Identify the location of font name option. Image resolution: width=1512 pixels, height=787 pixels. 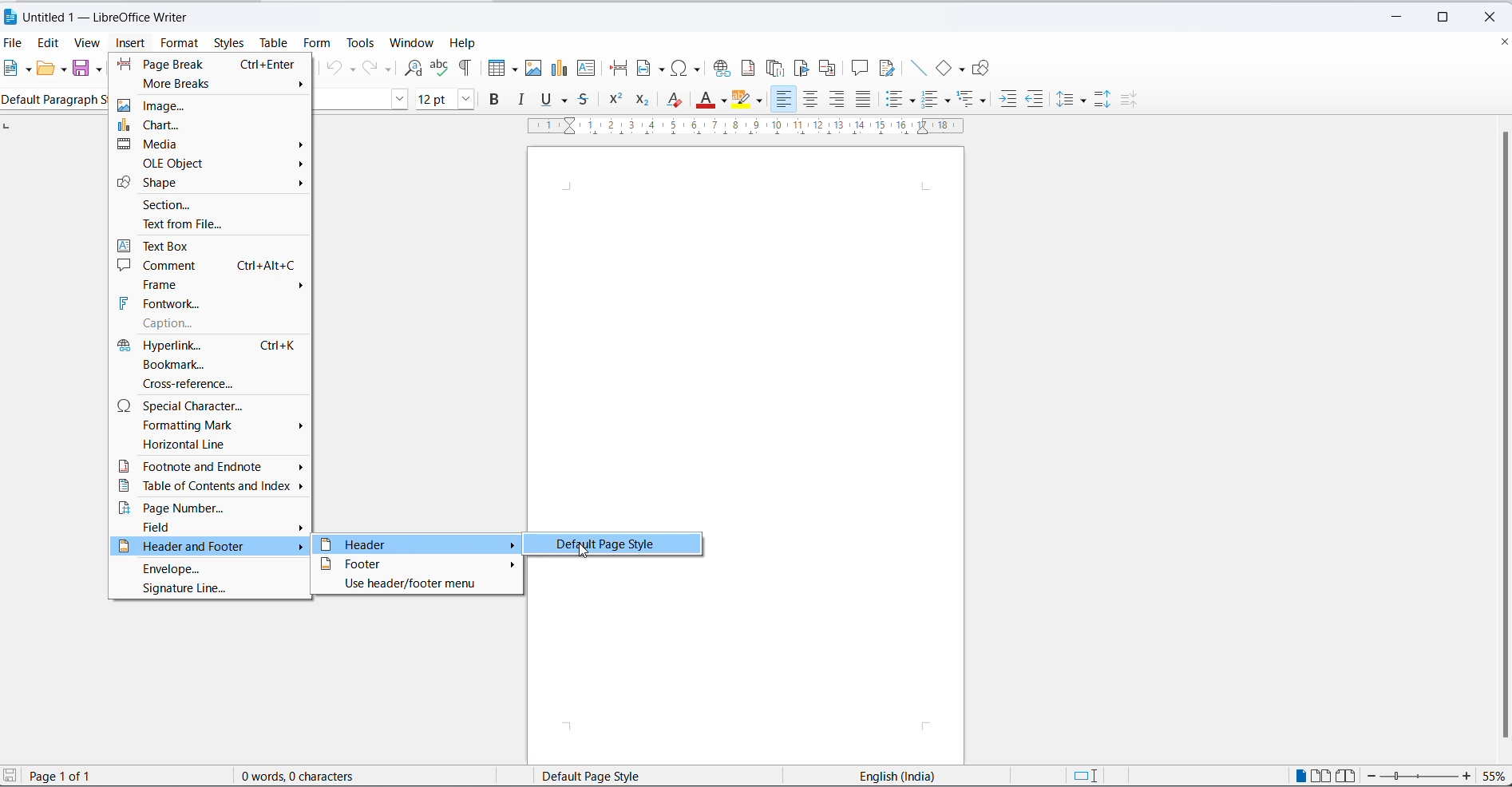
(398, 100).